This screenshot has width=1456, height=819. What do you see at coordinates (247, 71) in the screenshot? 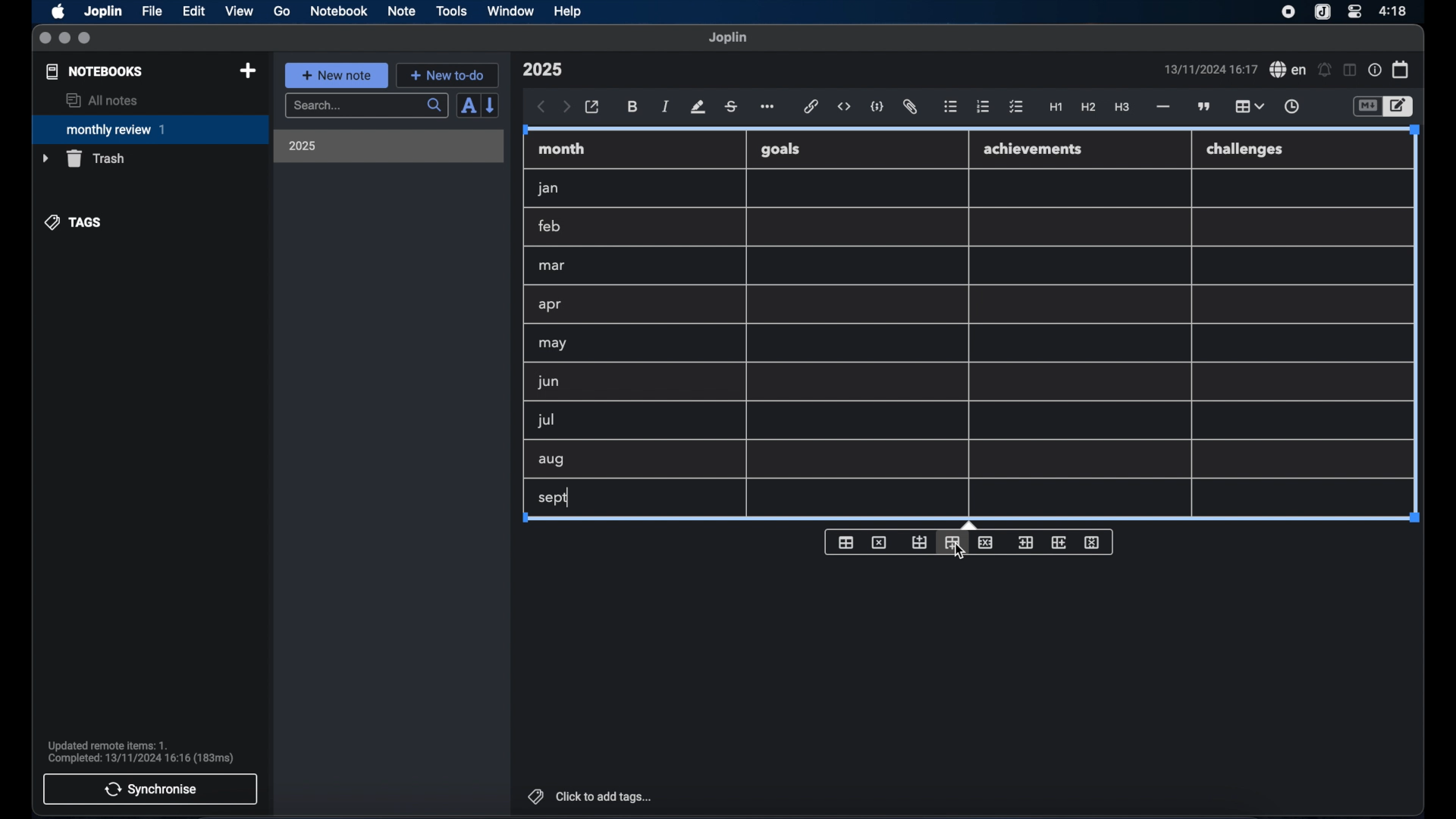
I see `new notebook` at bounding box center [247, 71].